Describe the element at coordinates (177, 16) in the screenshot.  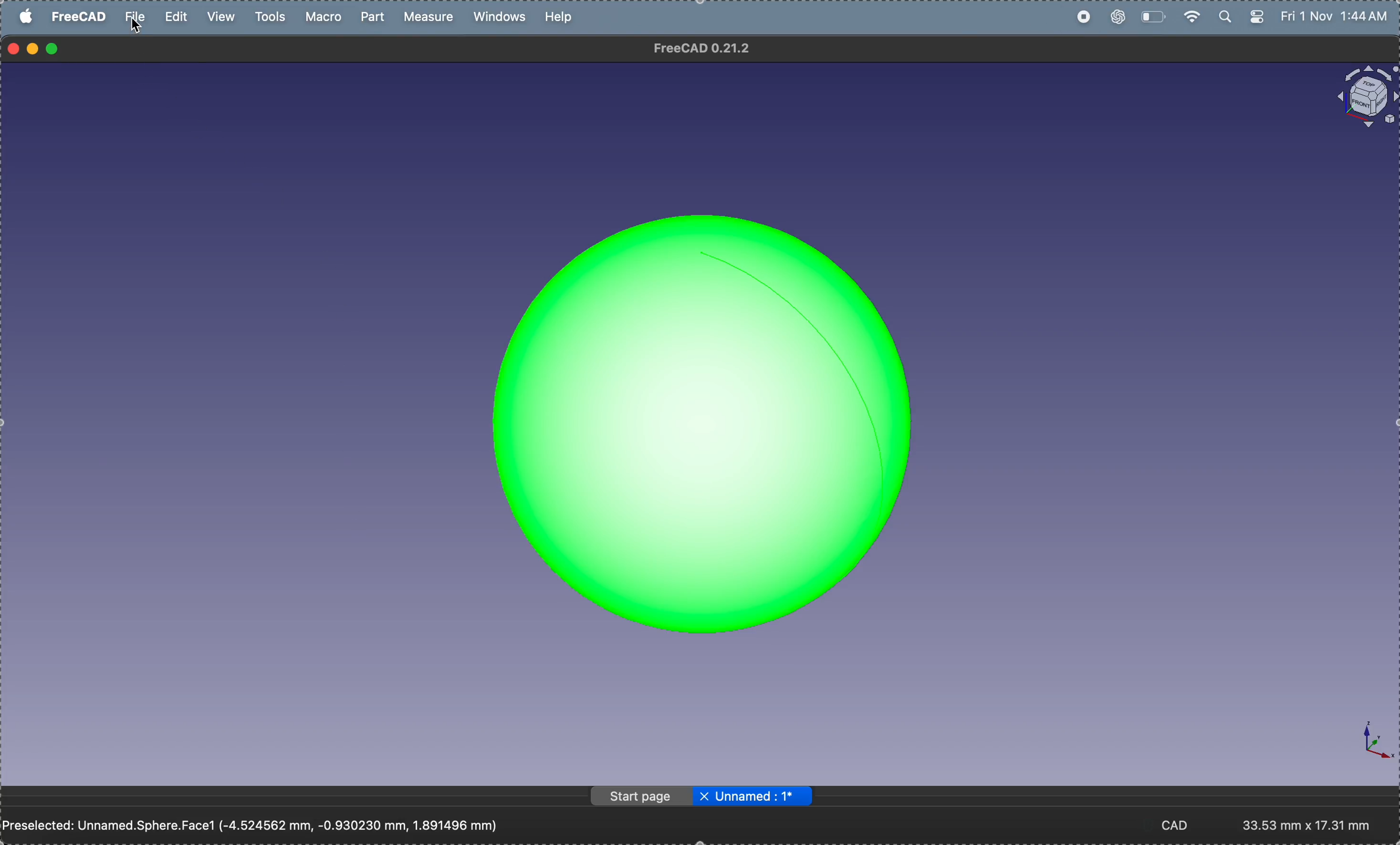
I see `edit` at that location.